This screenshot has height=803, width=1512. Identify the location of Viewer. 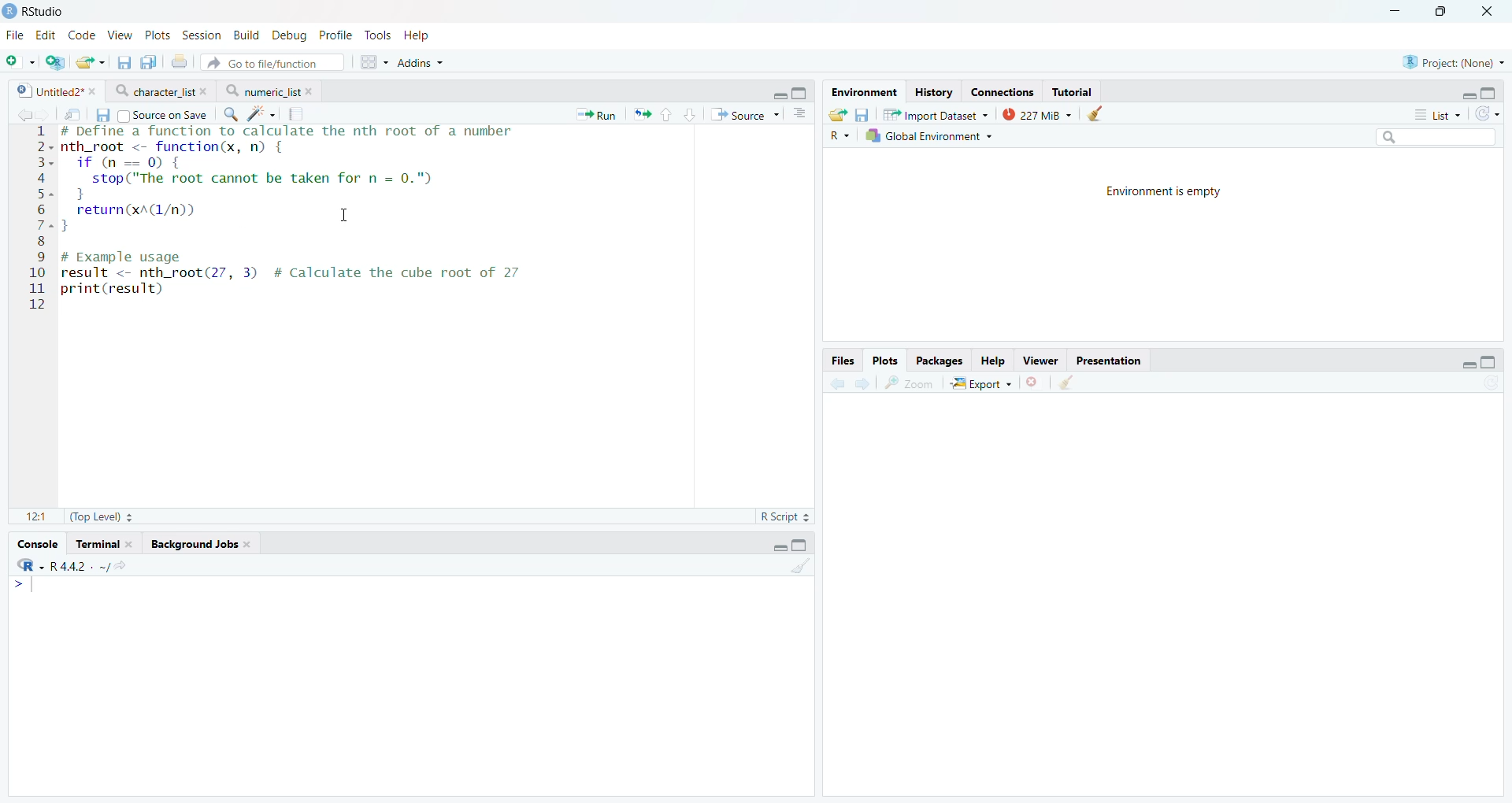
(1040, 360).